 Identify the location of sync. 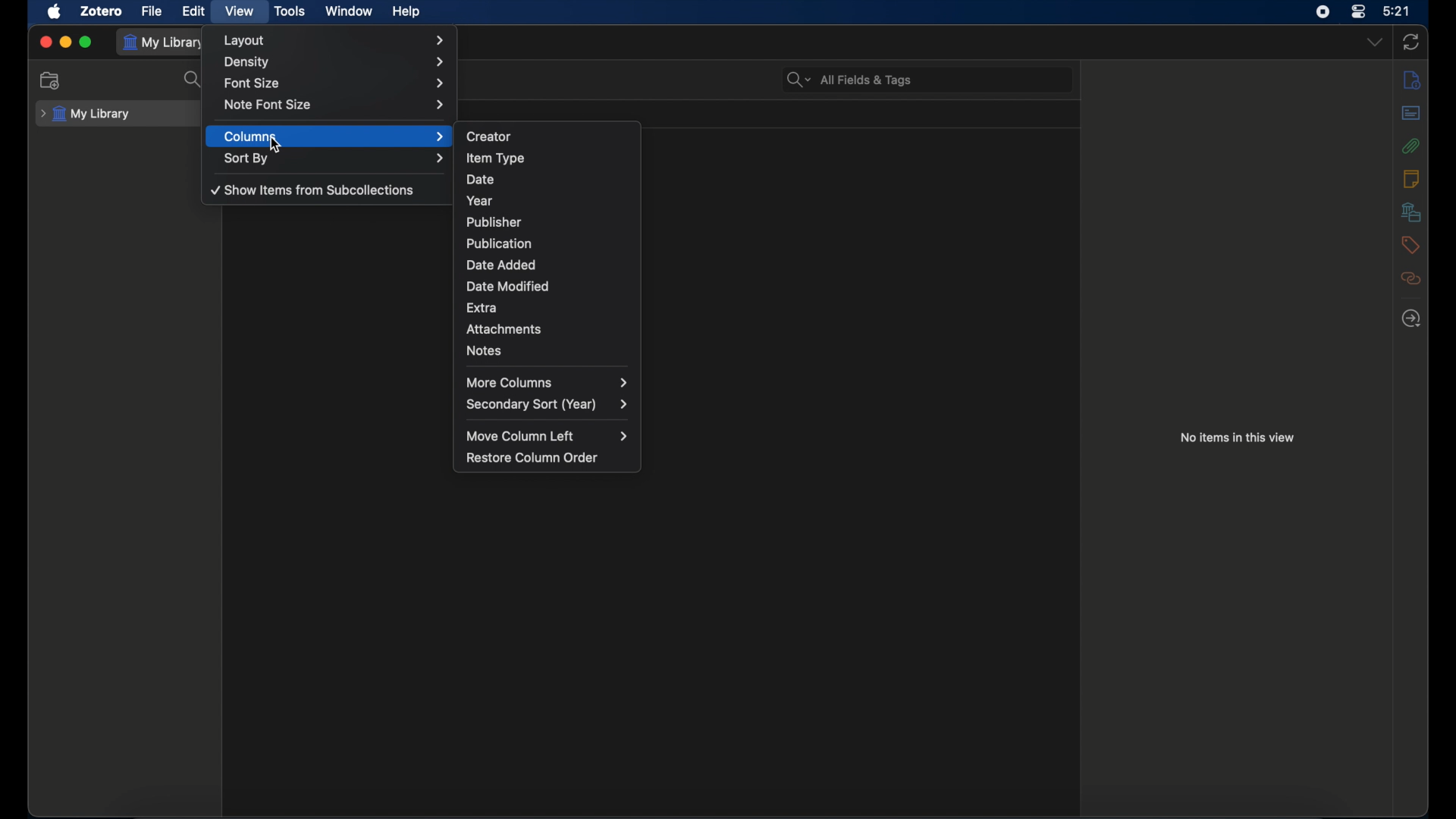
(1410, 42).